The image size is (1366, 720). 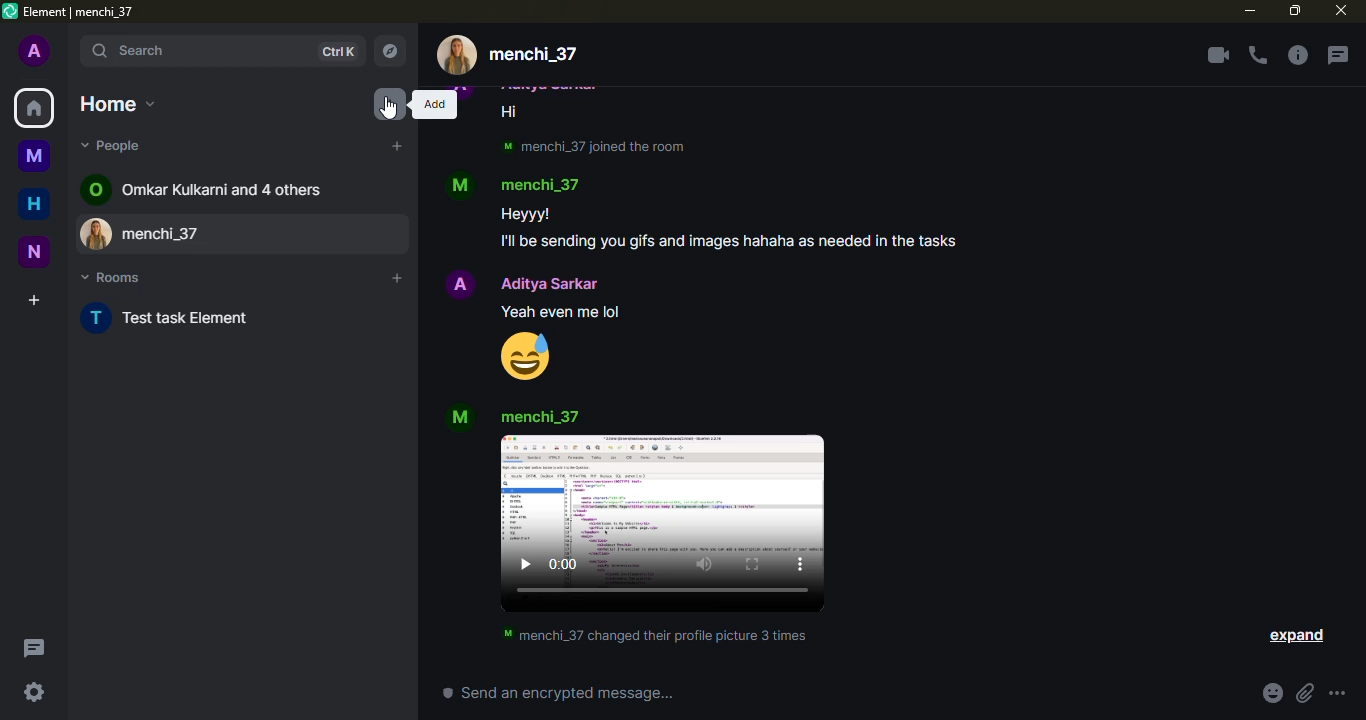 I want to click on ‘Omkar Kulkarni and 4 others, so click(x=222, y=189).